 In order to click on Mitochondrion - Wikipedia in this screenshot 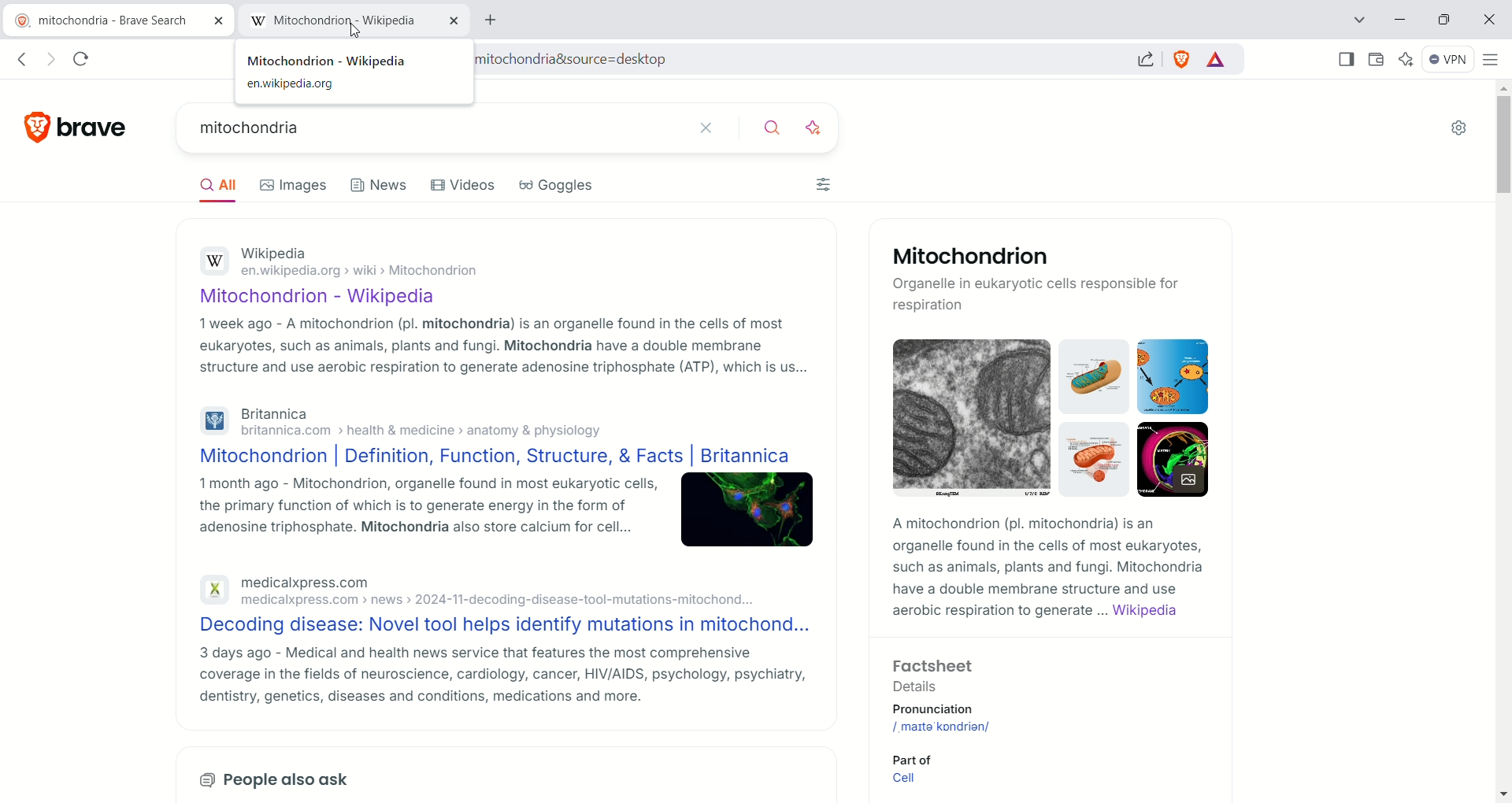, I will do `click(321, 297)`.